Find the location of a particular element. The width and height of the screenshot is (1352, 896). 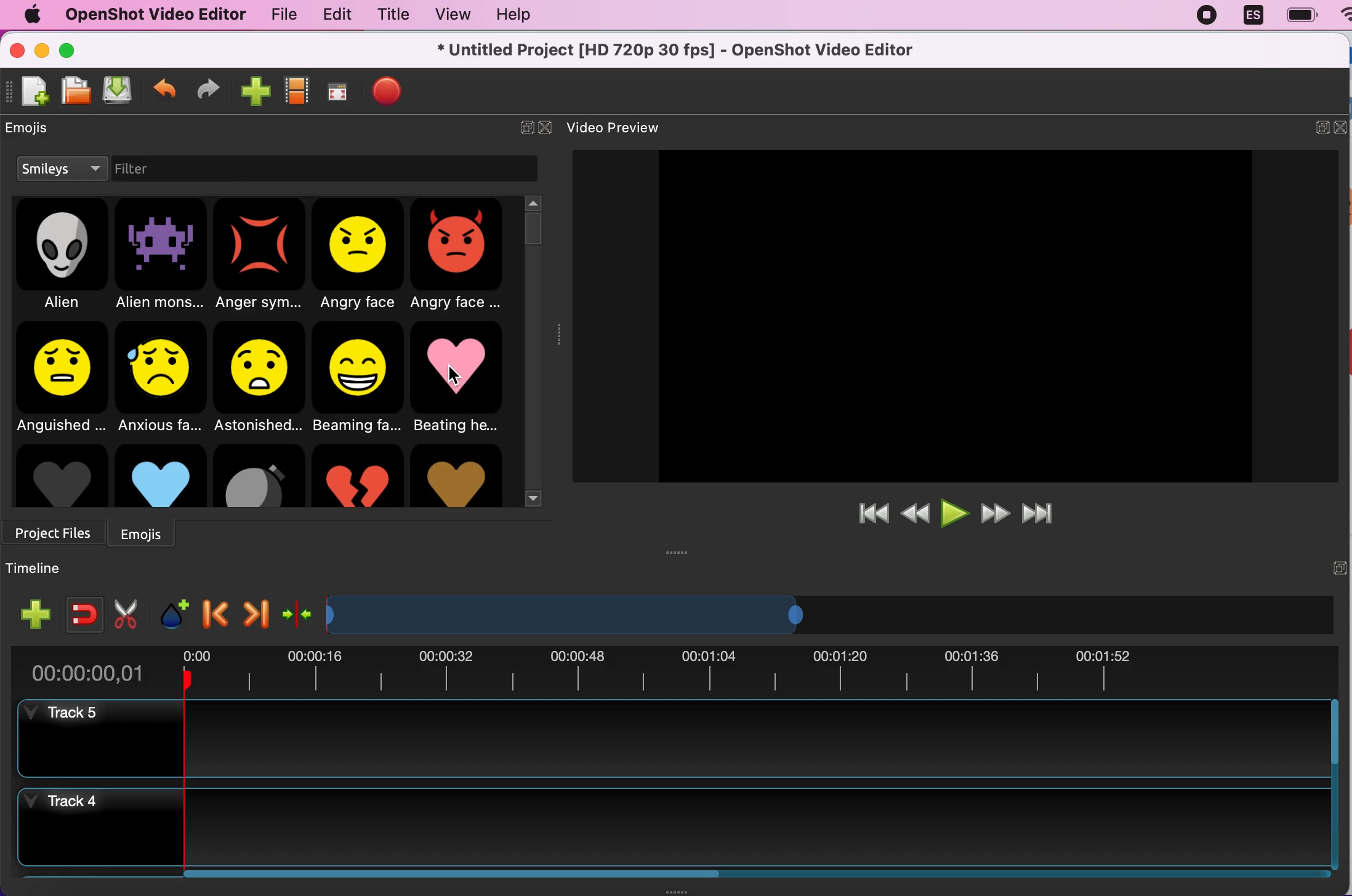

wifi is located at coordinates (1343, 20).